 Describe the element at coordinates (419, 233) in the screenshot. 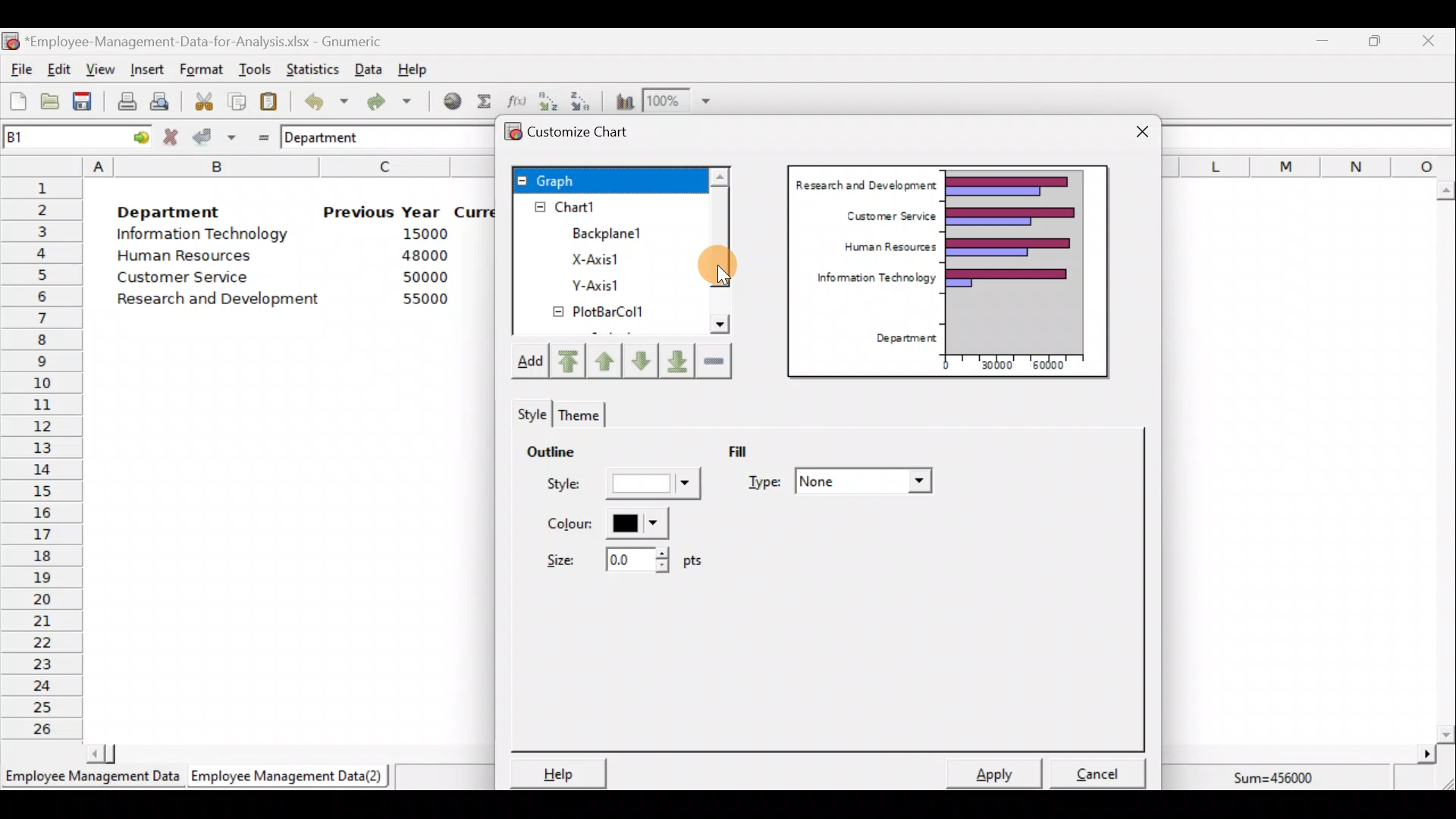

I see `15000` at that location.